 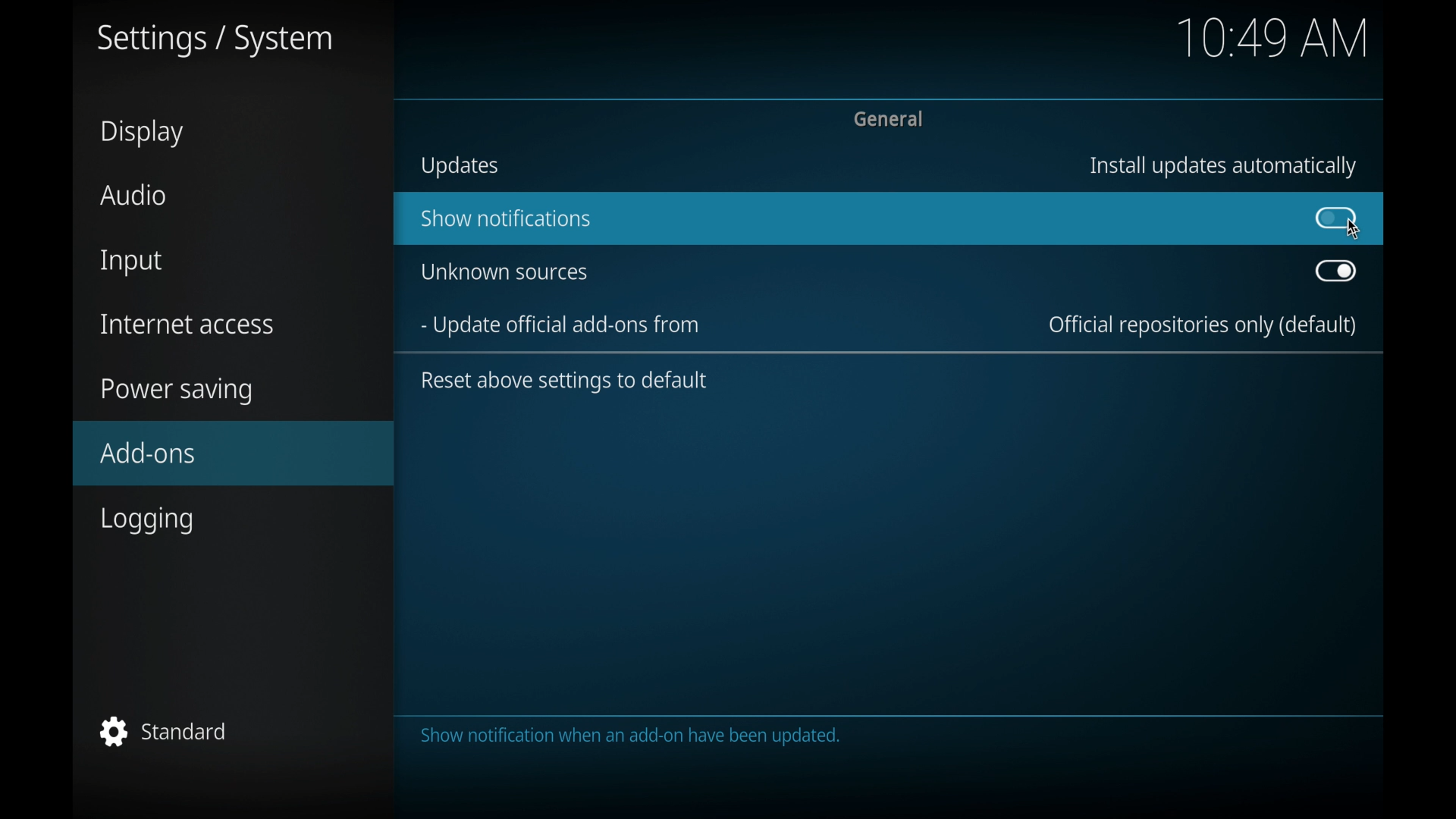 I want to click on updates, so click(x=459, y=166).